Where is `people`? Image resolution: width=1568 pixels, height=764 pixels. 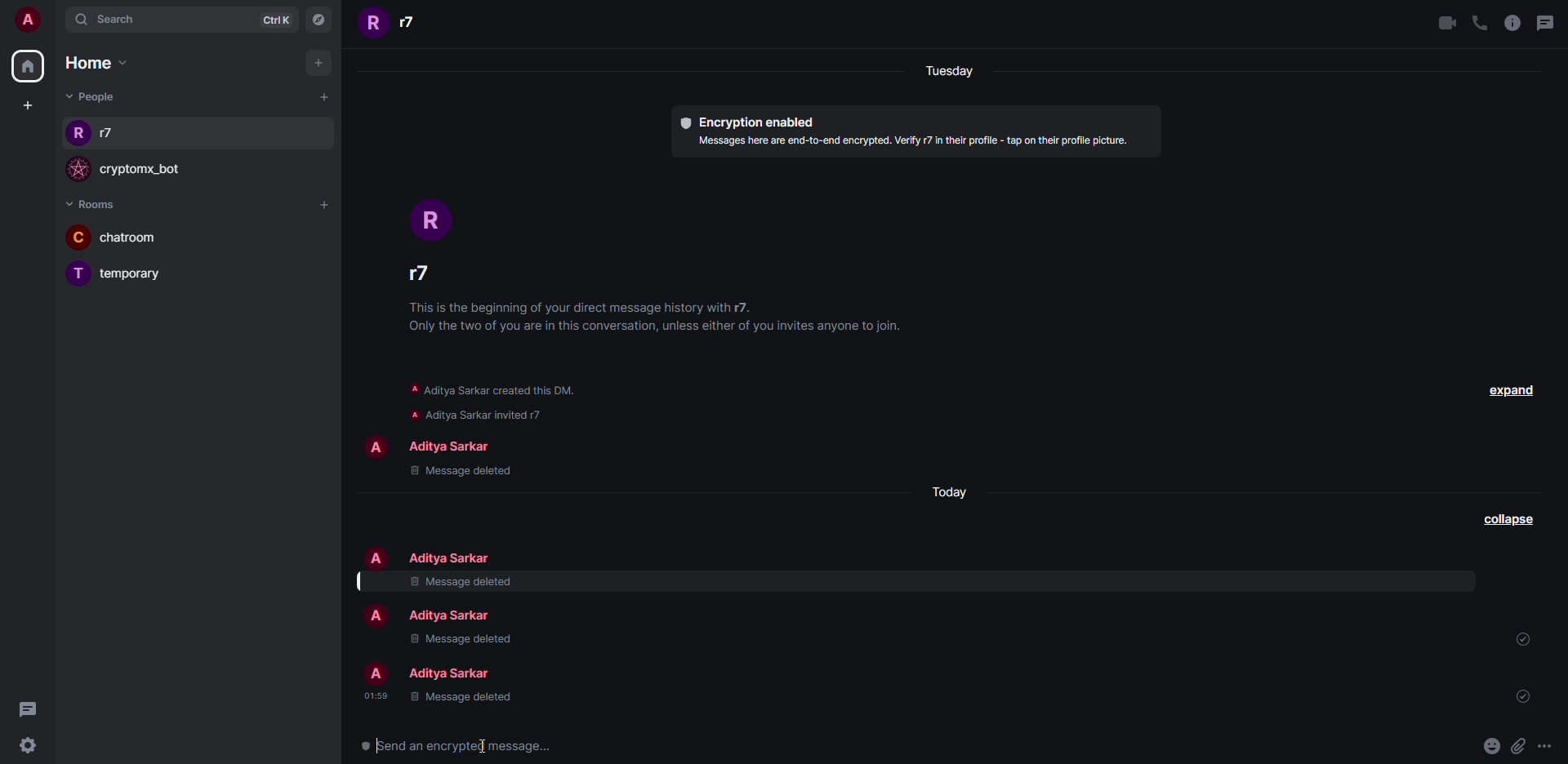
people is located at coordinates (416, 276).